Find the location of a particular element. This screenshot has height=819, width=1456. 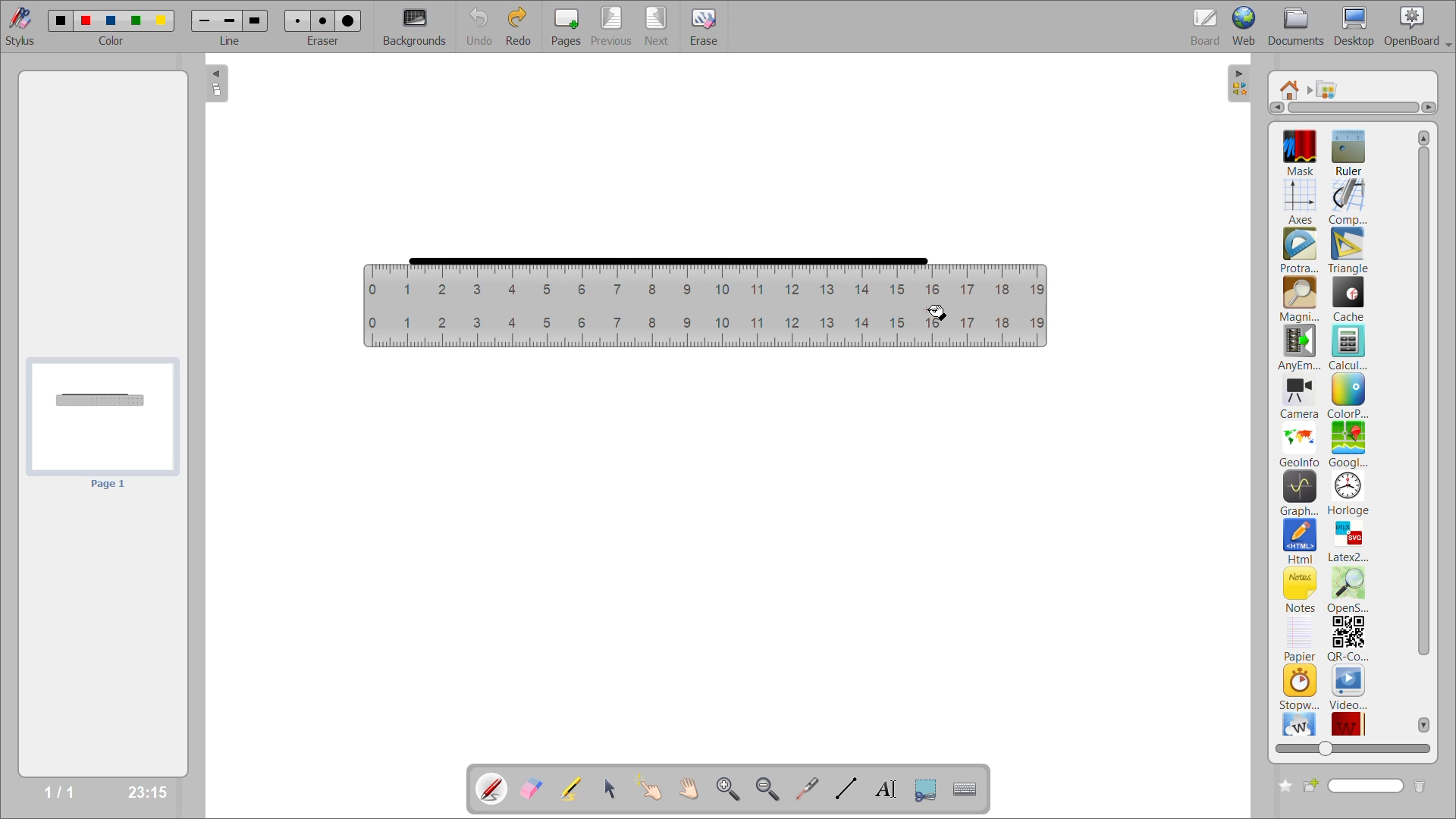

anyembed is located at coordinates (1301, 348).